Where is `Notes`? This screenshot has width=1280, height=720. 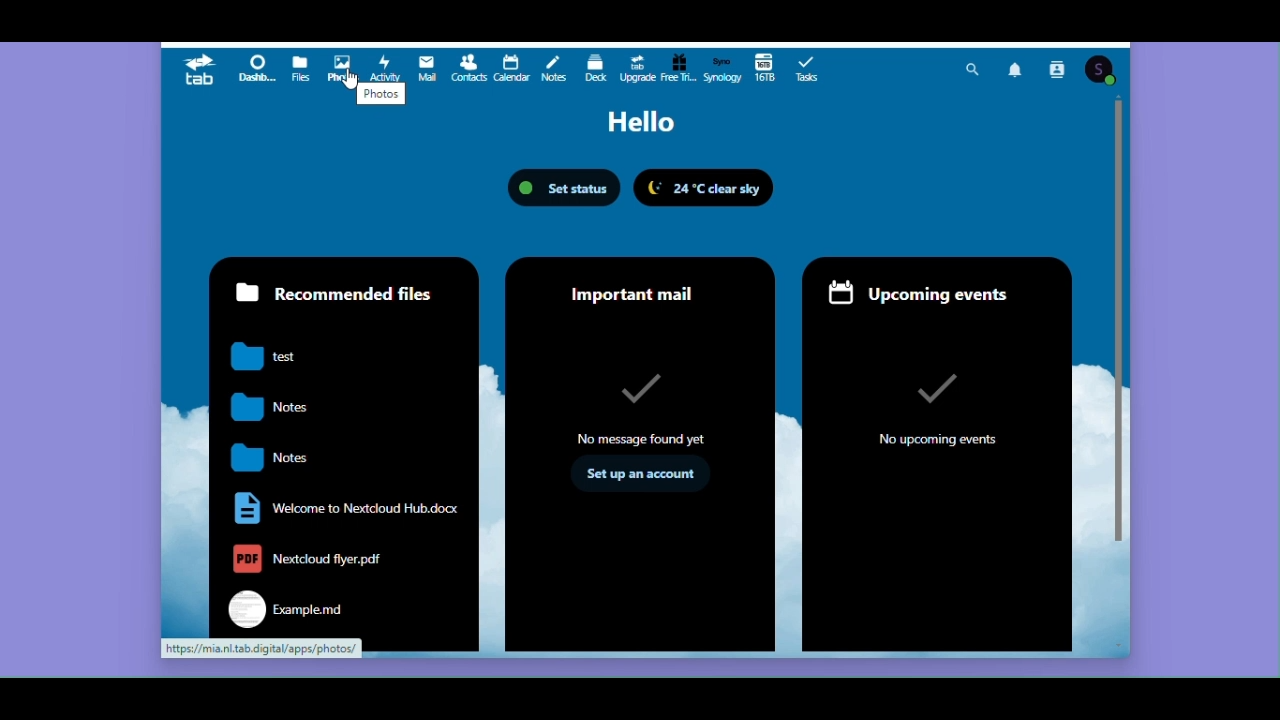 Notes is located at coordinates (552, 67).